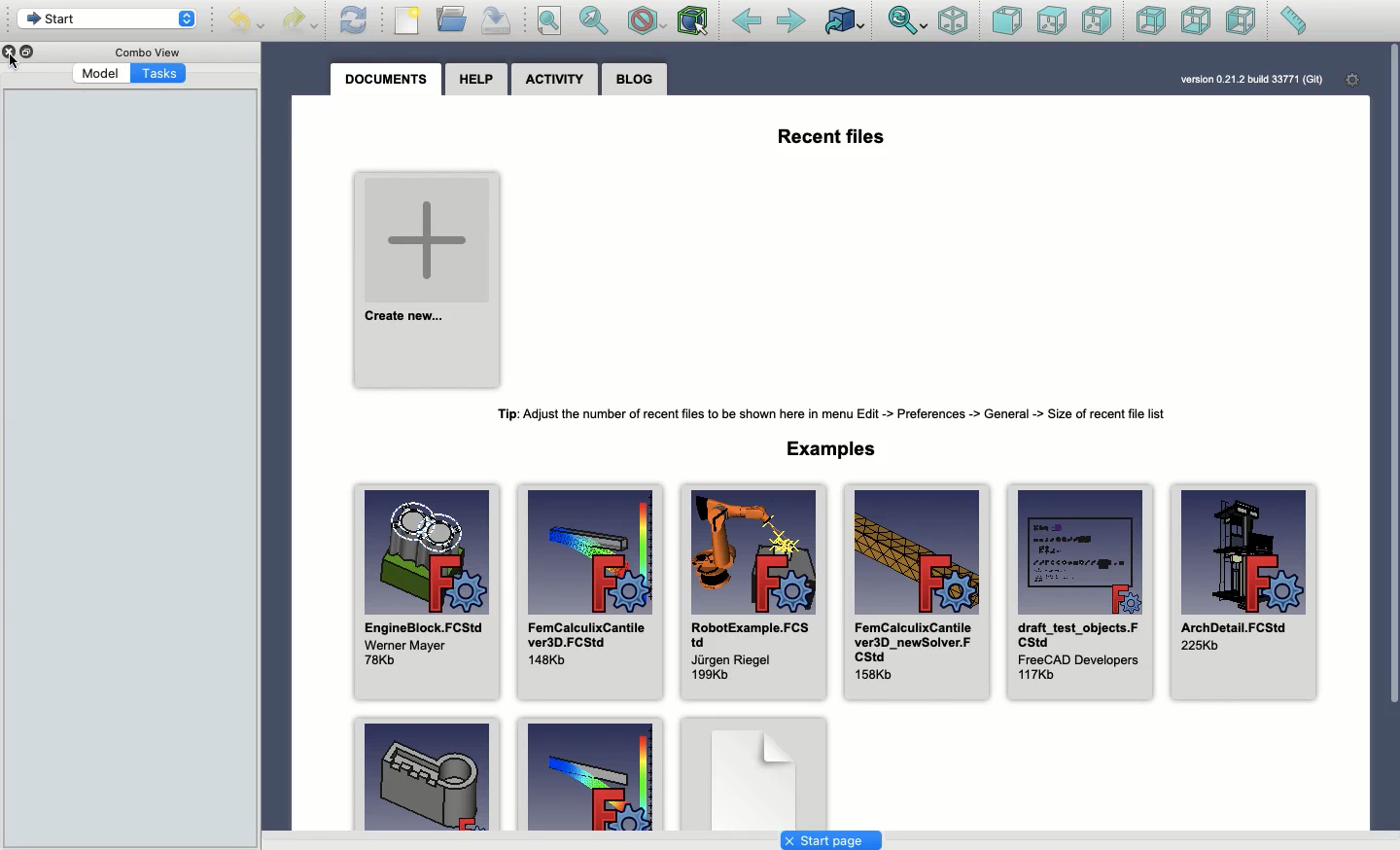  What do you see at coordinates (146, 52) in the screenshot?
I see `Combo view` at bounding box center [146, 52].